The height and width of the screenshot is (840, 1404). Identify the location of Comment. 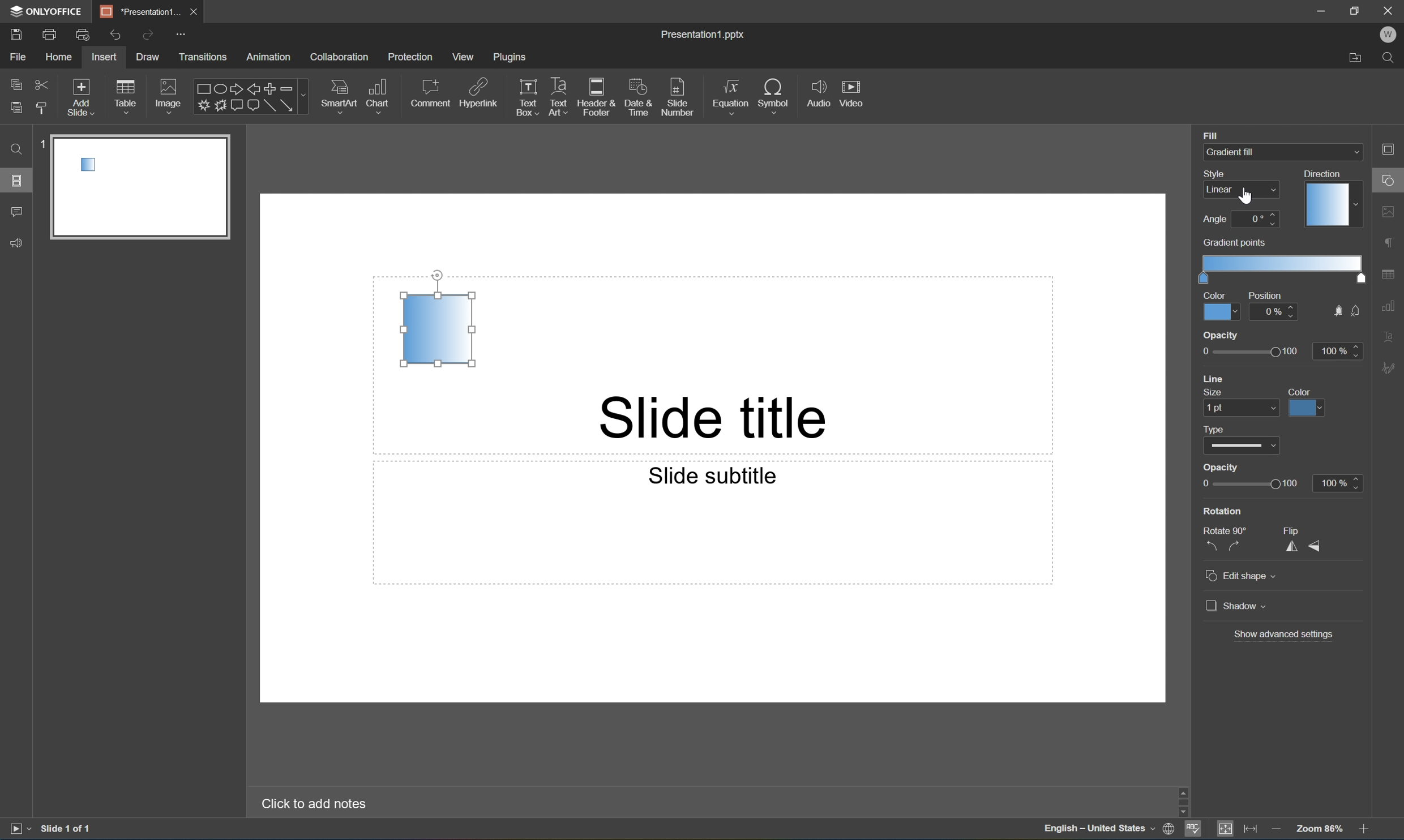
(18, 213).